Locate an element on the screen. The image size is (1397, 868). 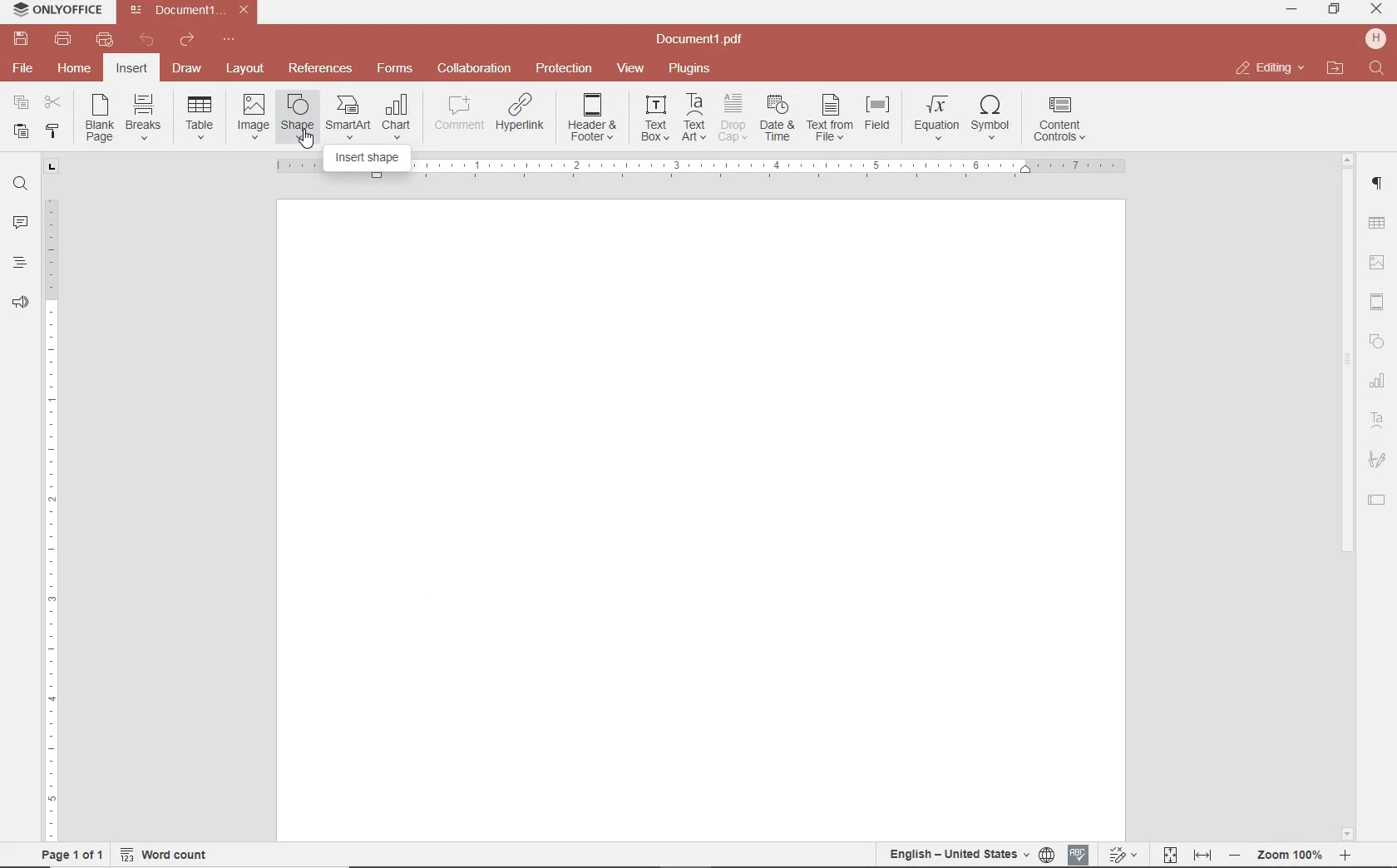
INSERT CHAT is located at coordinates (397, 118).